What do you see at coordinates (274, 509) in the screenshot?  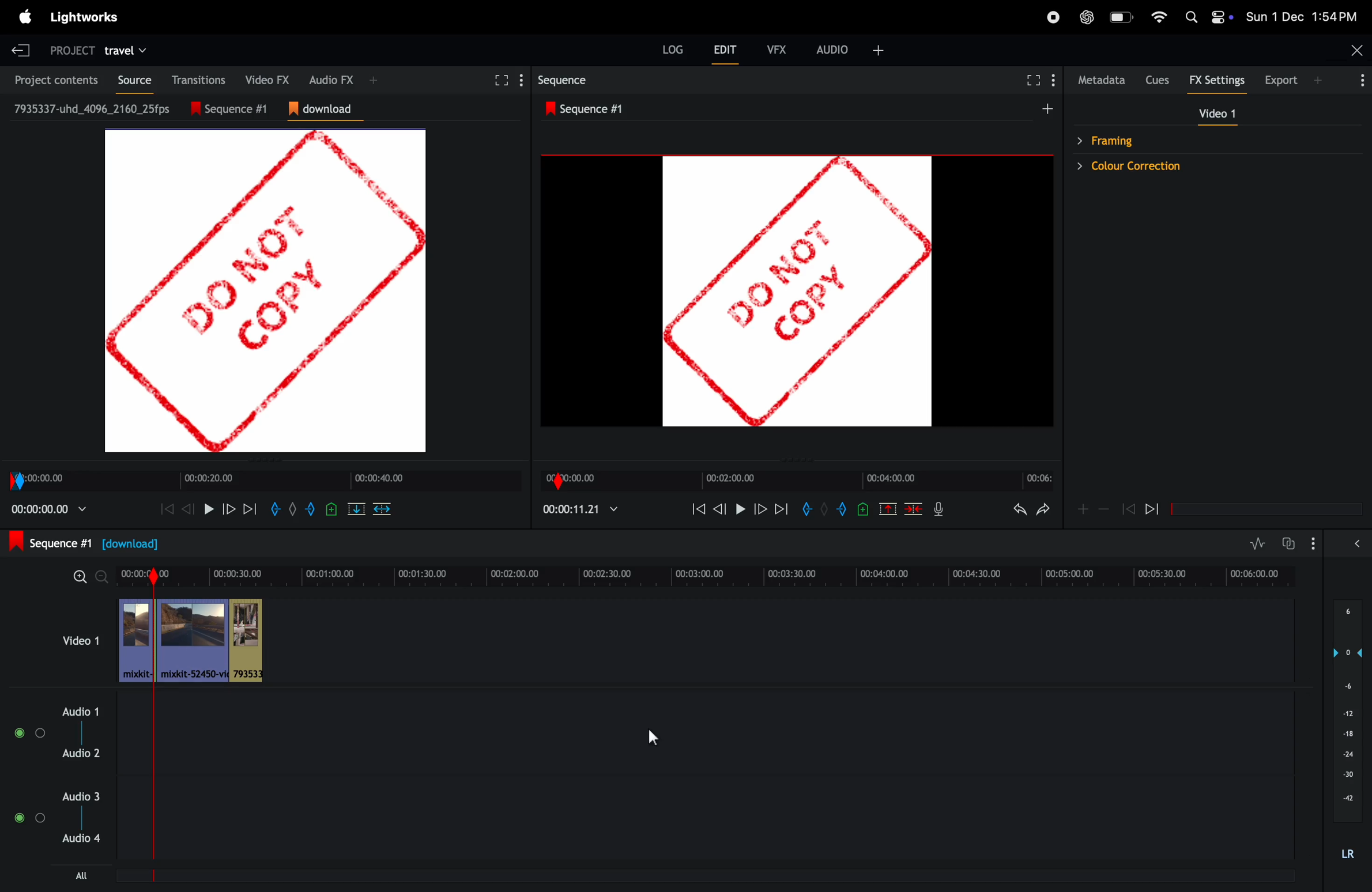 I see `add in` at bounding box center [274, 509].